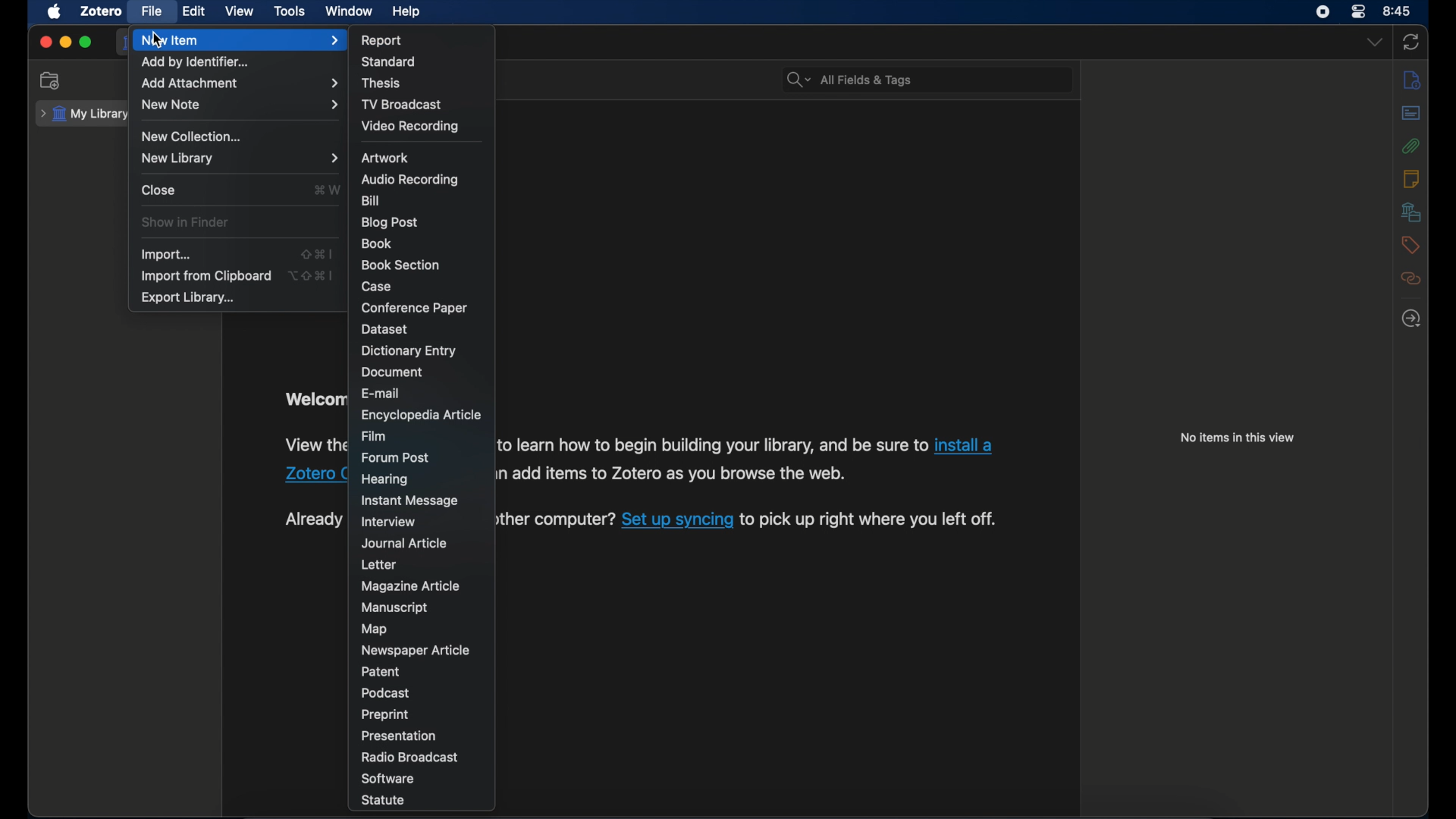 The width and height of the screenshot is (1456, 819). I want to click on software information, so click(676, 472).